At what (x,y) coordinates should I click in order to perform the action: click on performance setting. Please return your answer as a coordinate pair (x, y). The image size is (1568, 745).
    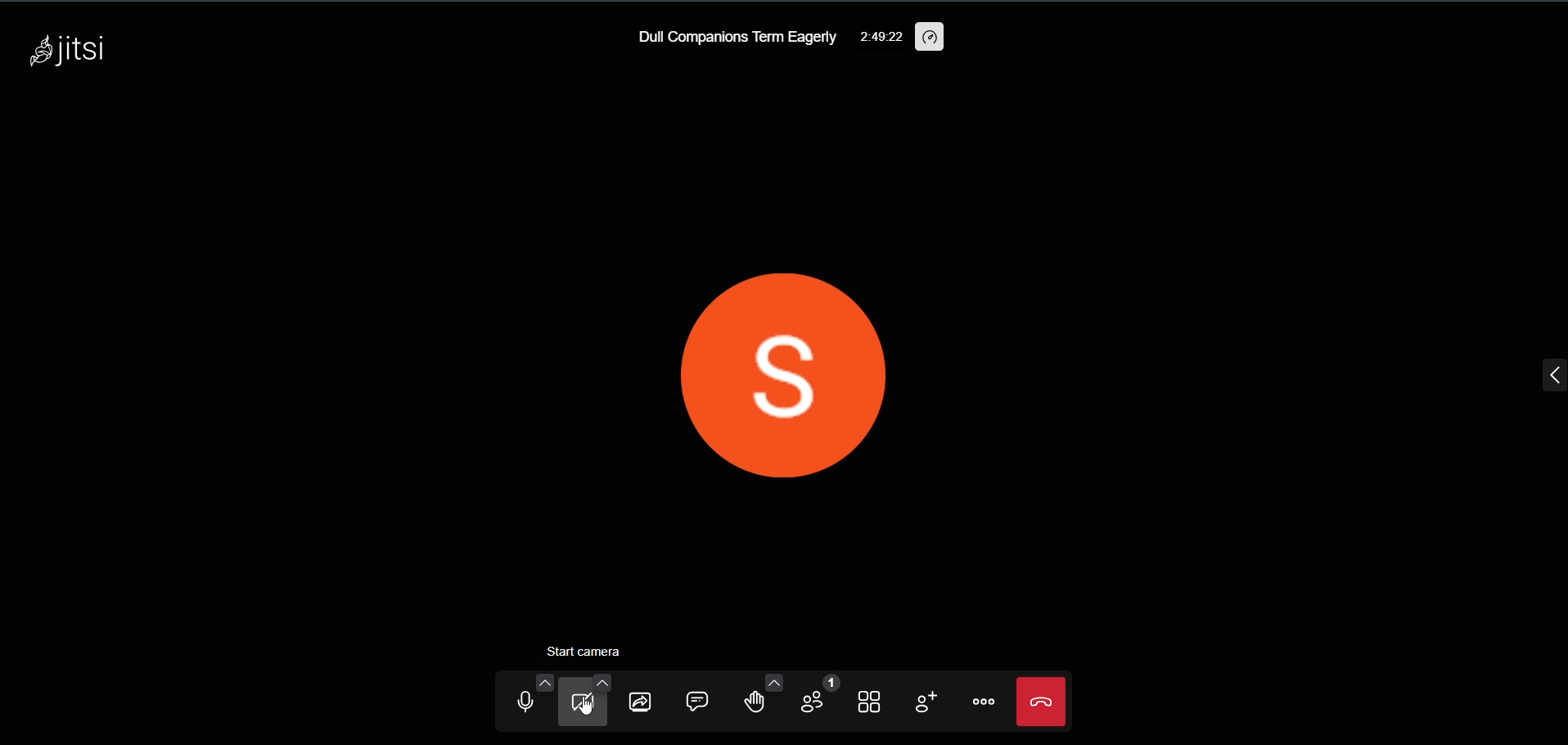
    Looking at the image, I should click on (932, 37).